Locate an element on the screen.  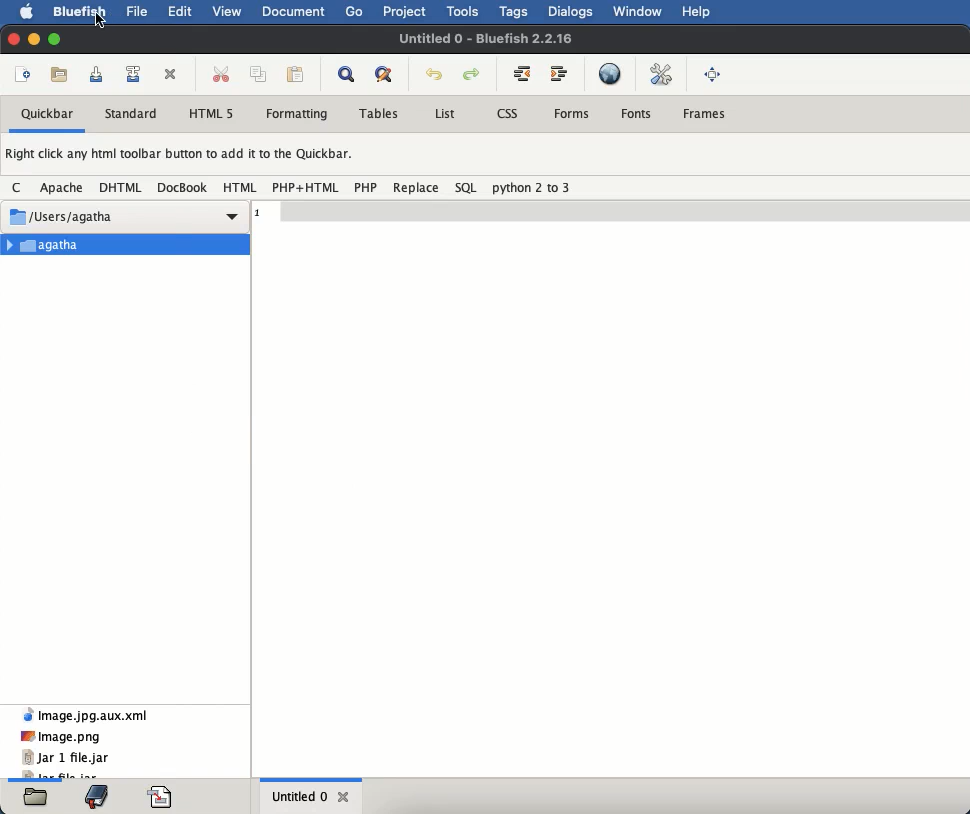
tags is located at coordinates (514, 12).